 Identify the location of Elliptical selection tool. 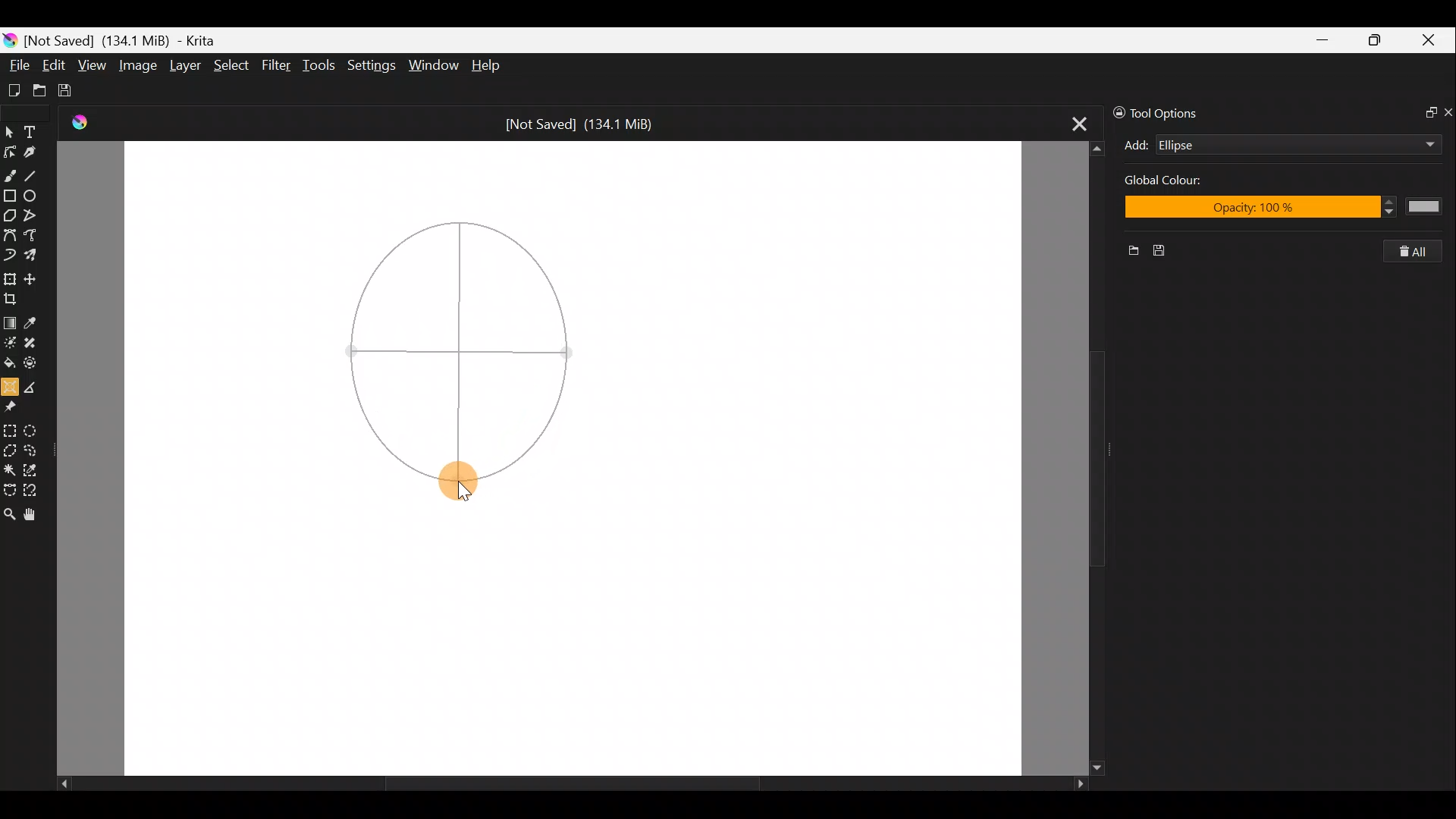
(38, 428).